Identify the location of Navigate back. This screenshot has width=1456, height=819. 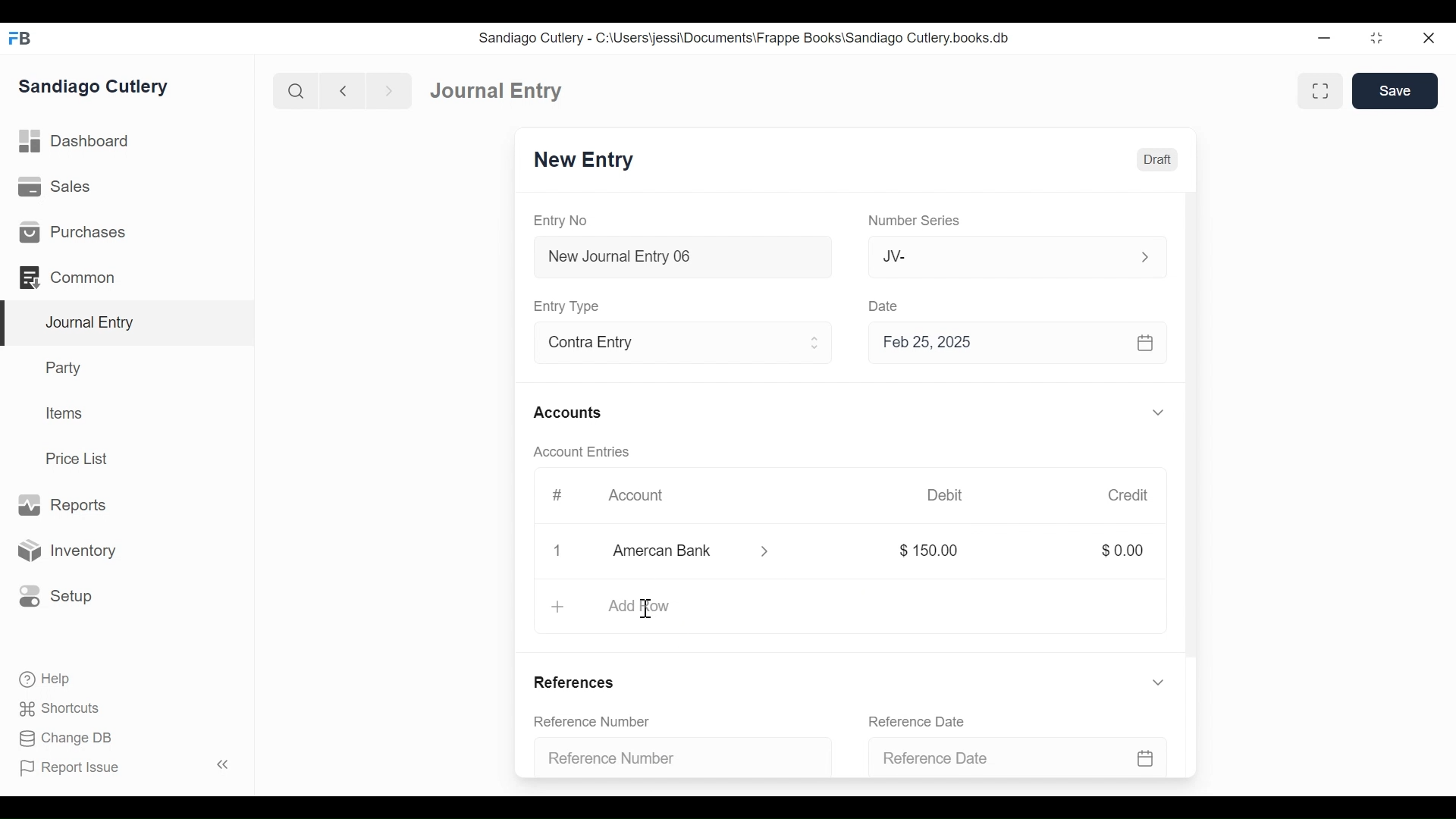
(343, 93).